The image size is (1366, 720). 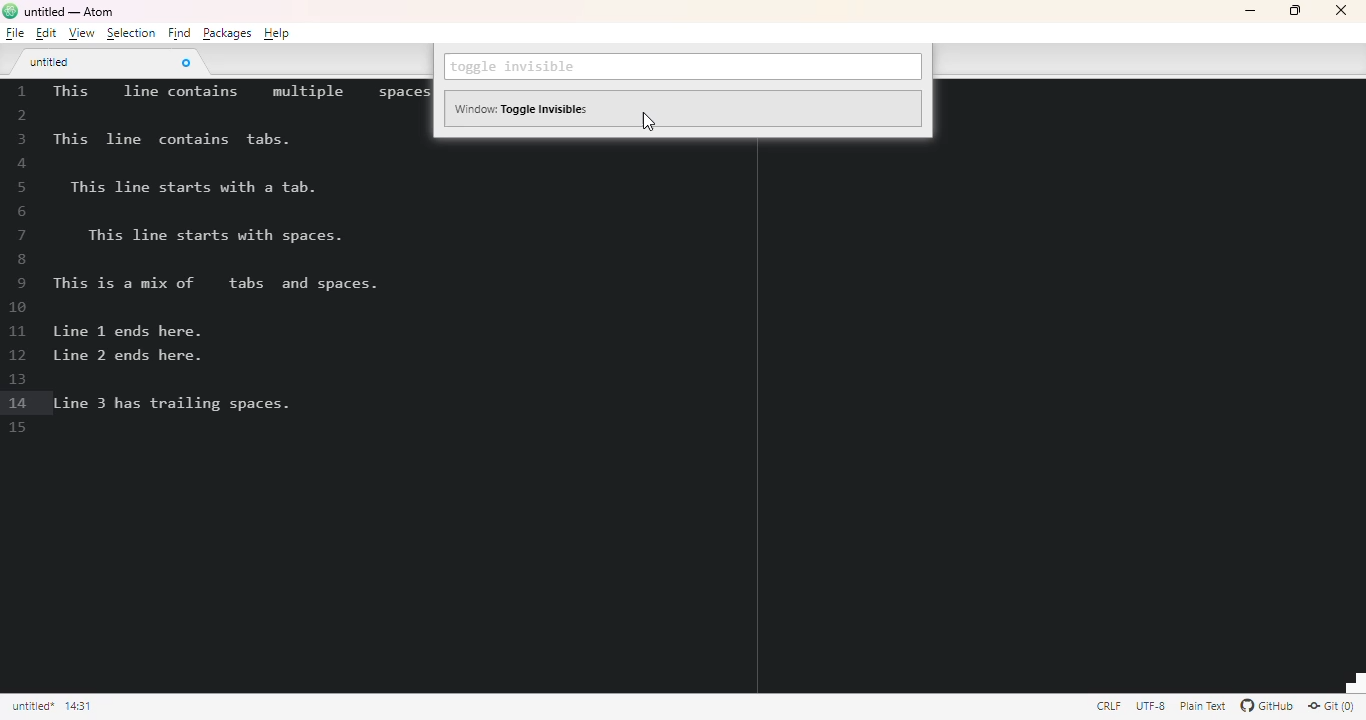 What do you see at coordinates (517, 67) in the screenshot?
I see `toggle invisible` at bounding box center [517, 67].